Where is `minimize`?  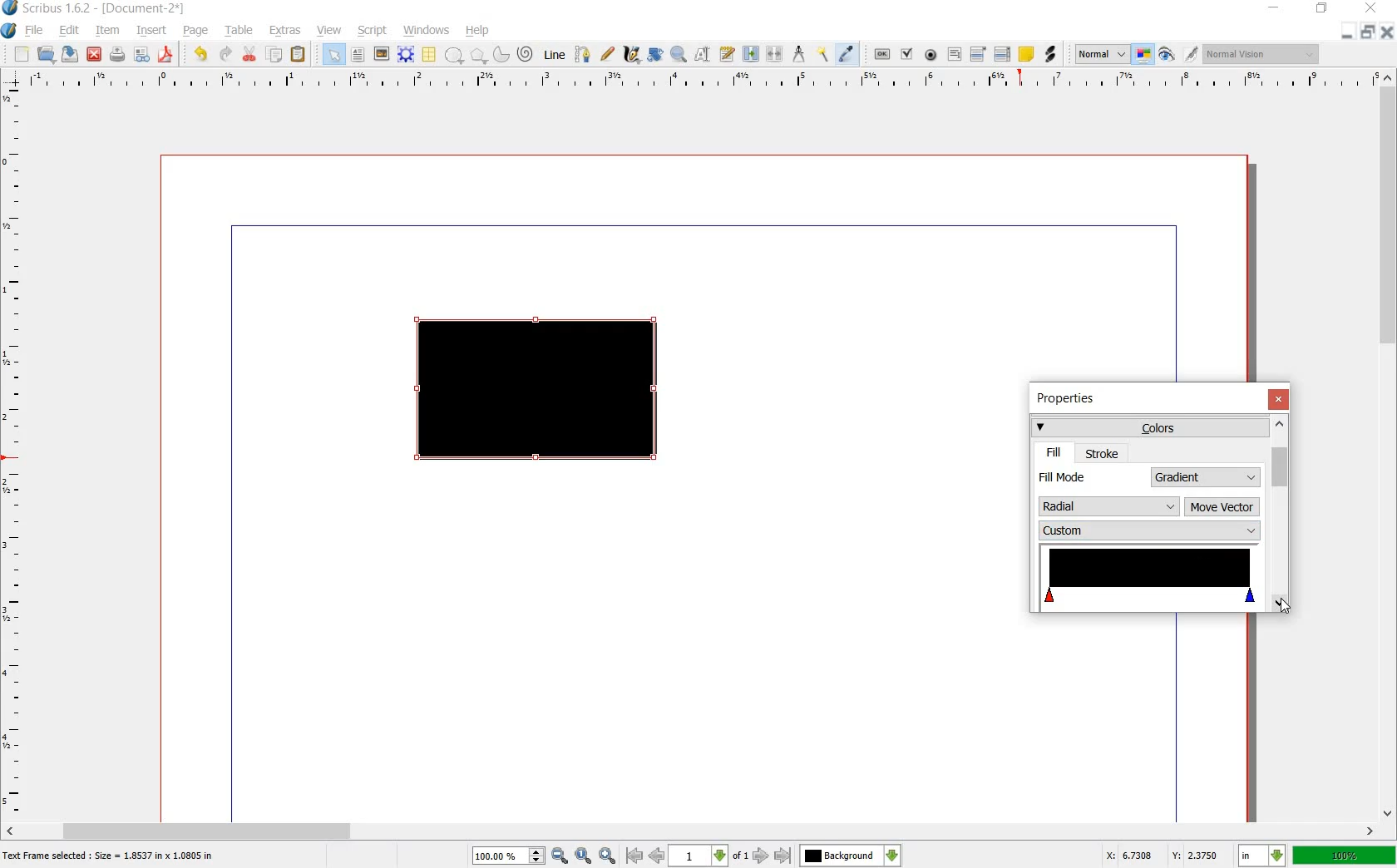 minimize is located at coordinates (1348, 33).